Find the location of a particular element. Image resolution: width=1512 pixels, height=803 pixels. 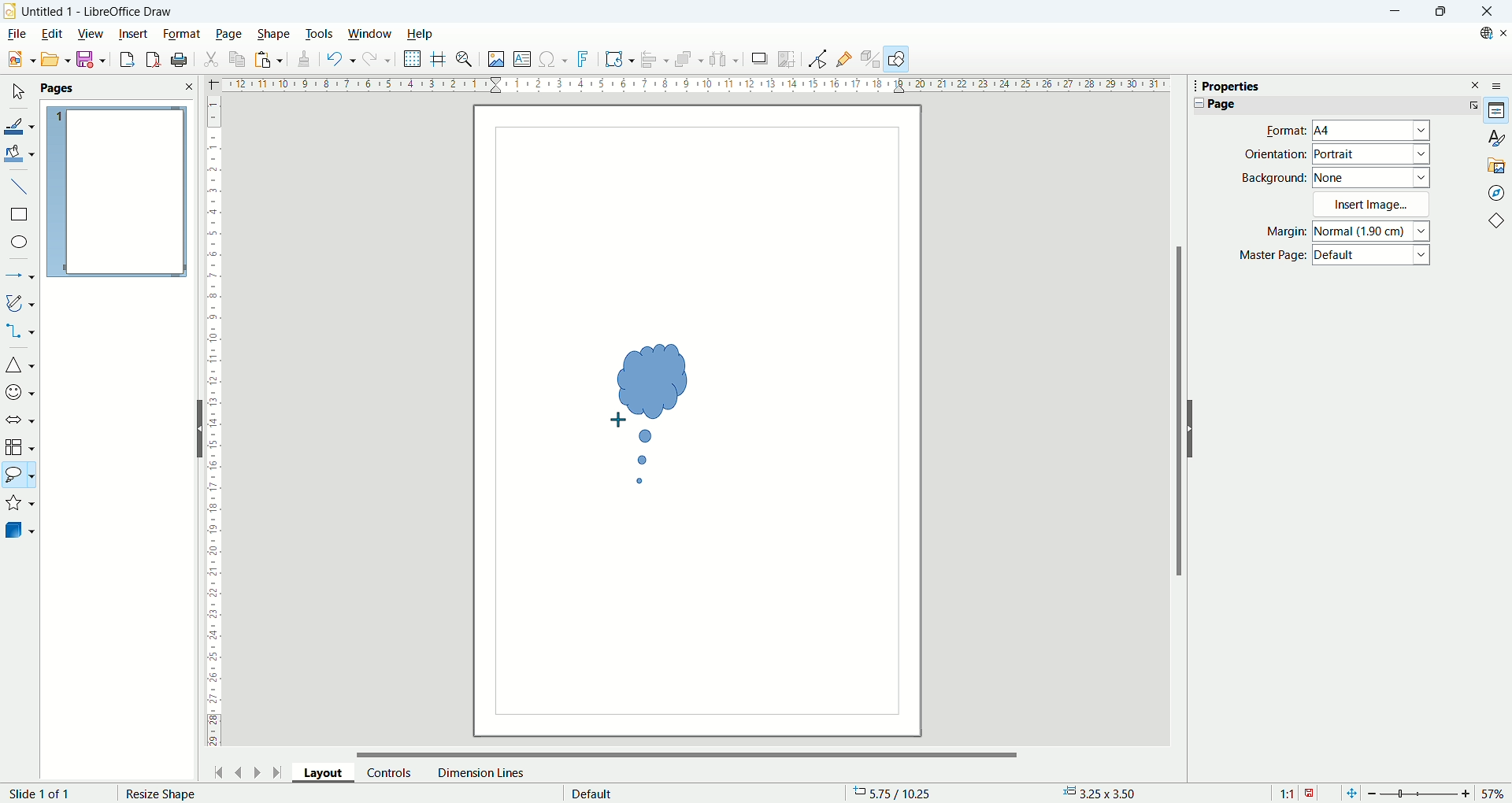

Callout shape is located at coordinates (656, 412).